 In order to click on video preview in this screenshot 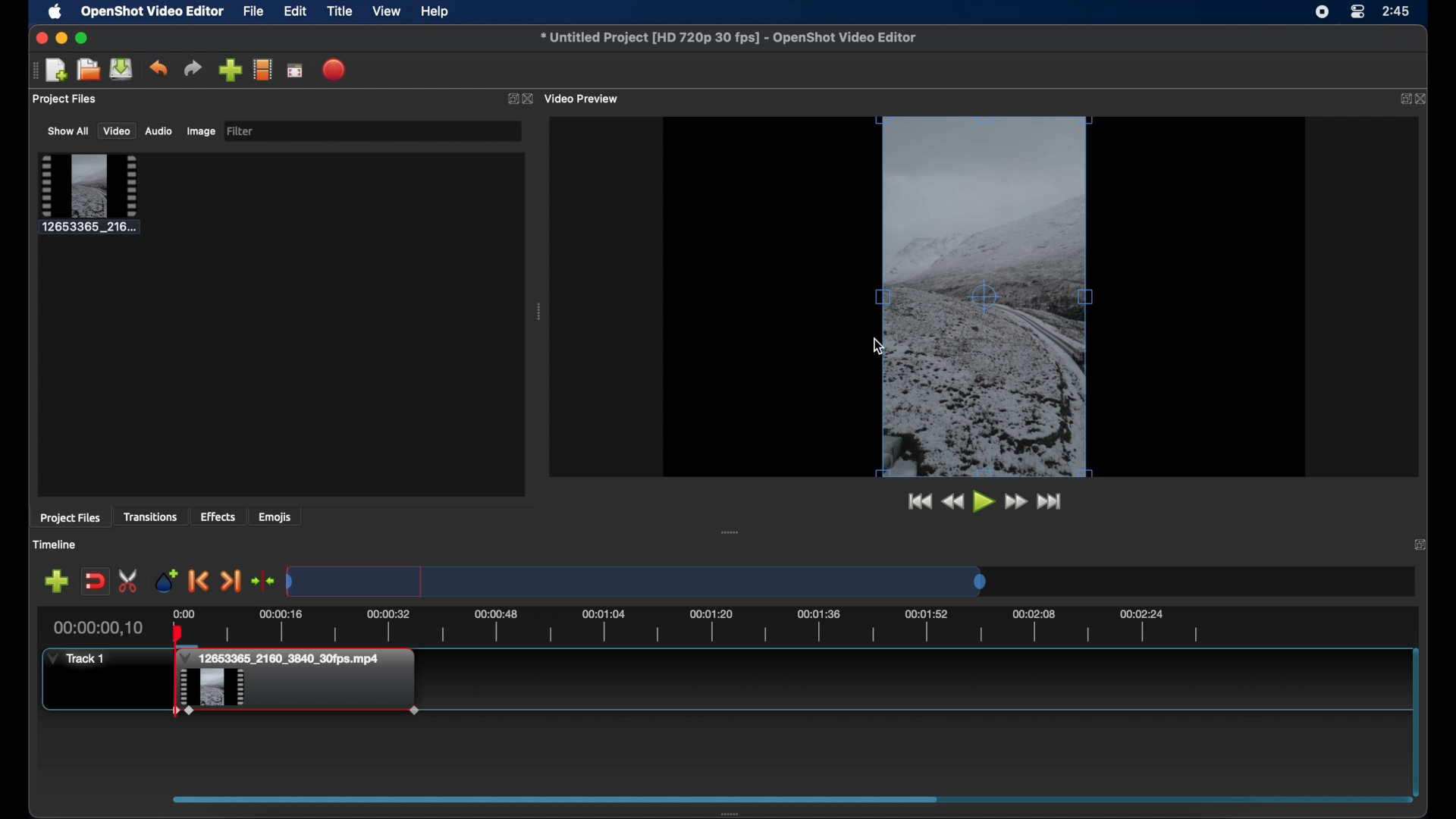, I will do `click(584, 99)`.